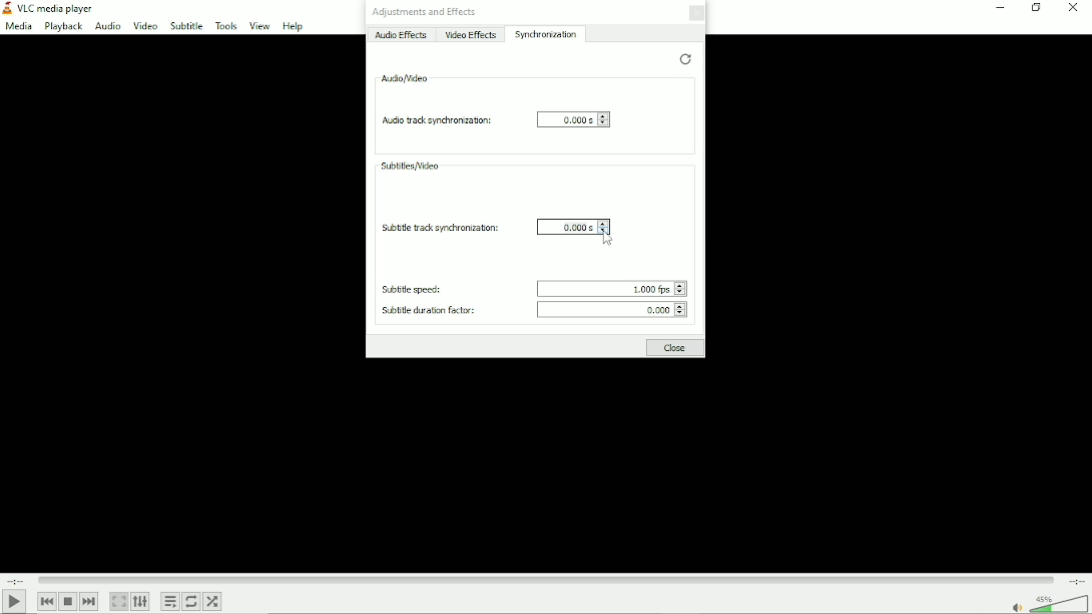 The image size is (1092, 614). I want to click on Playback, so click(62, 27).